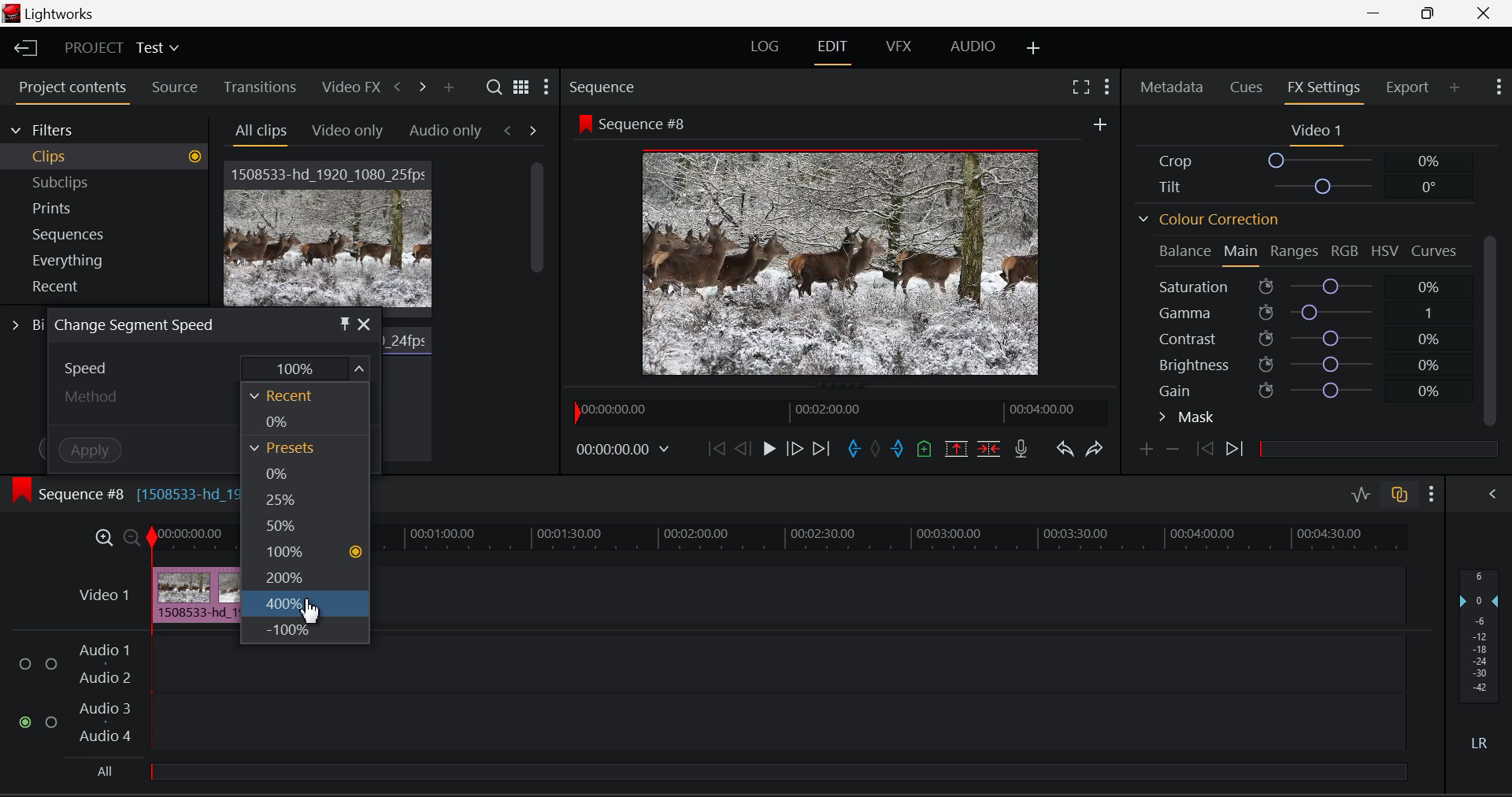 The height and width of the screenshot is (797, 1512). I want to click on More Options, so click(1100, 126).